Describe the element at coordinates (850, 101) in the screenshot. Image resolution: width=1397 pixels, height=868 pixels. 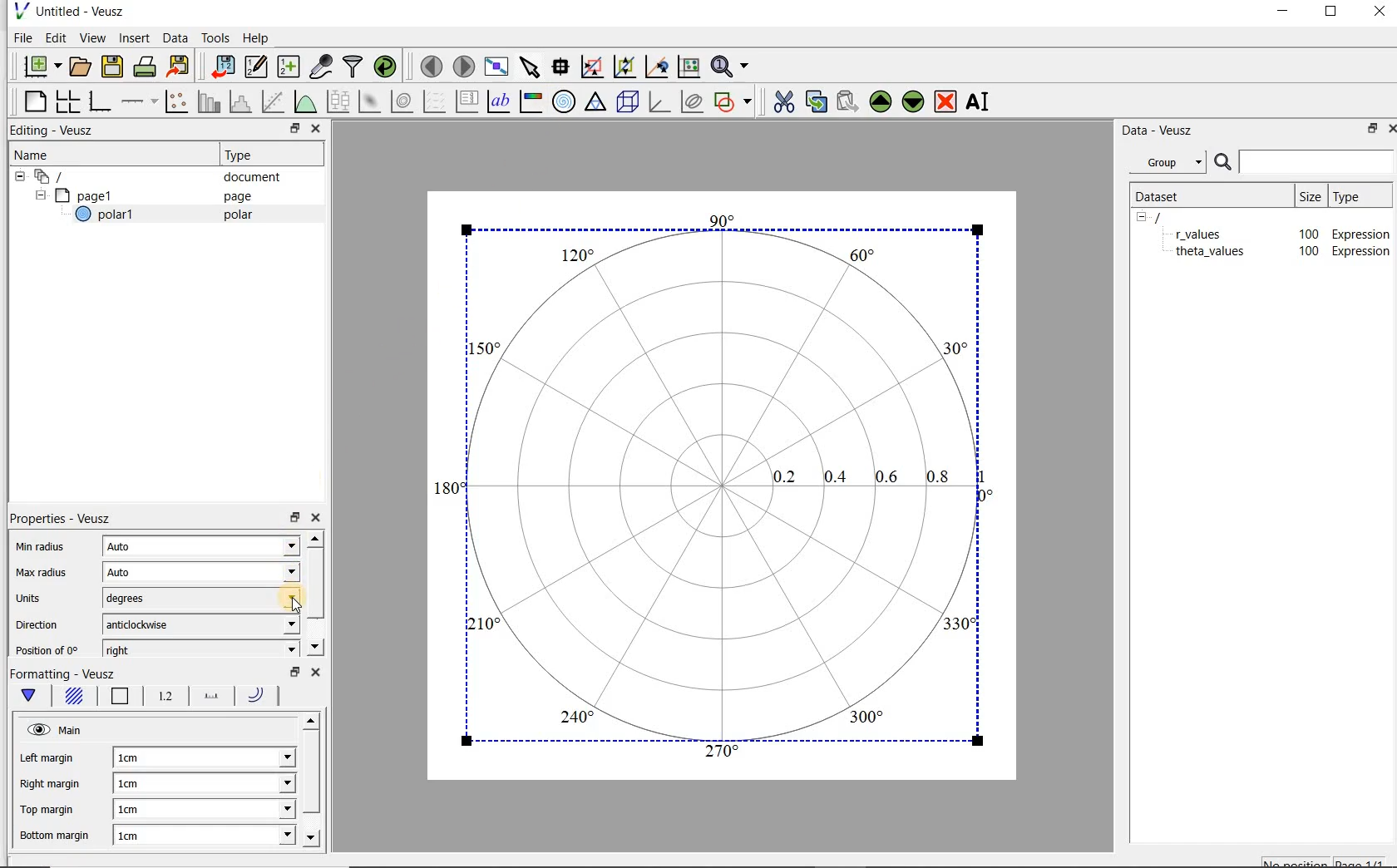
I see `Paste widget from the clipboard` at that location.